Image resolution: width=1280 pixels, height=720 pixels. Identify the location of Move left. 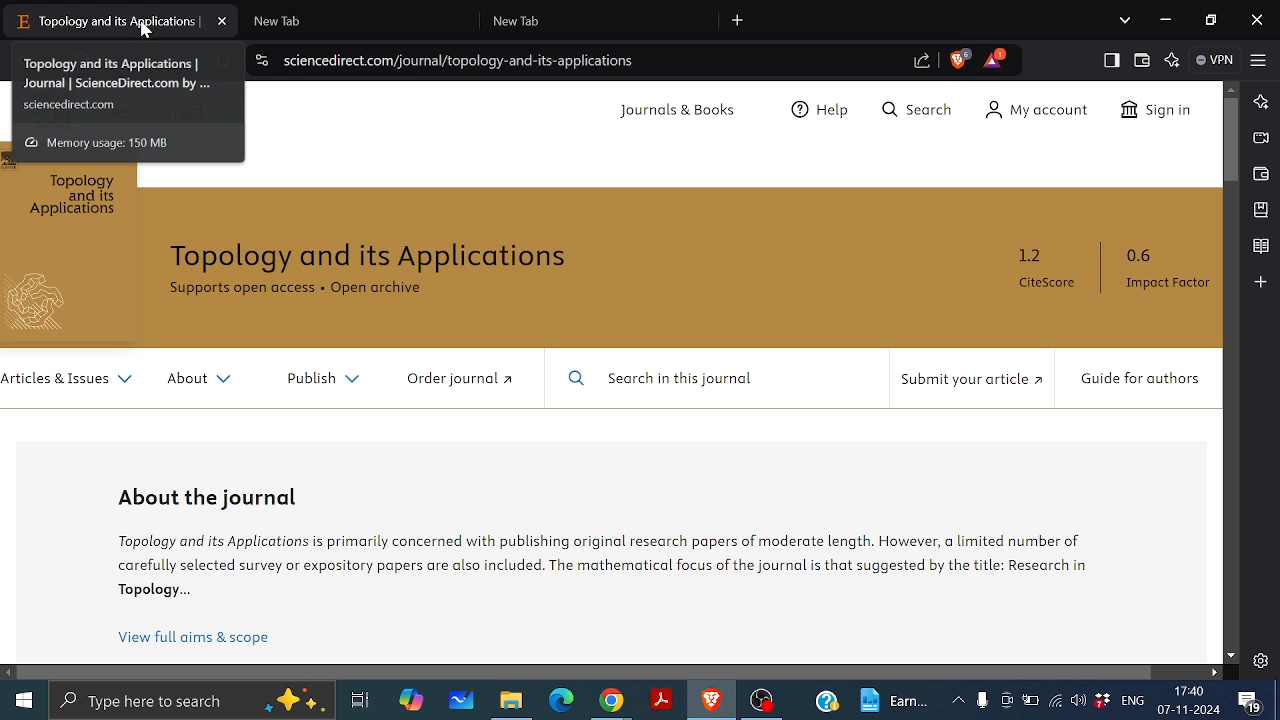
(10, 672).